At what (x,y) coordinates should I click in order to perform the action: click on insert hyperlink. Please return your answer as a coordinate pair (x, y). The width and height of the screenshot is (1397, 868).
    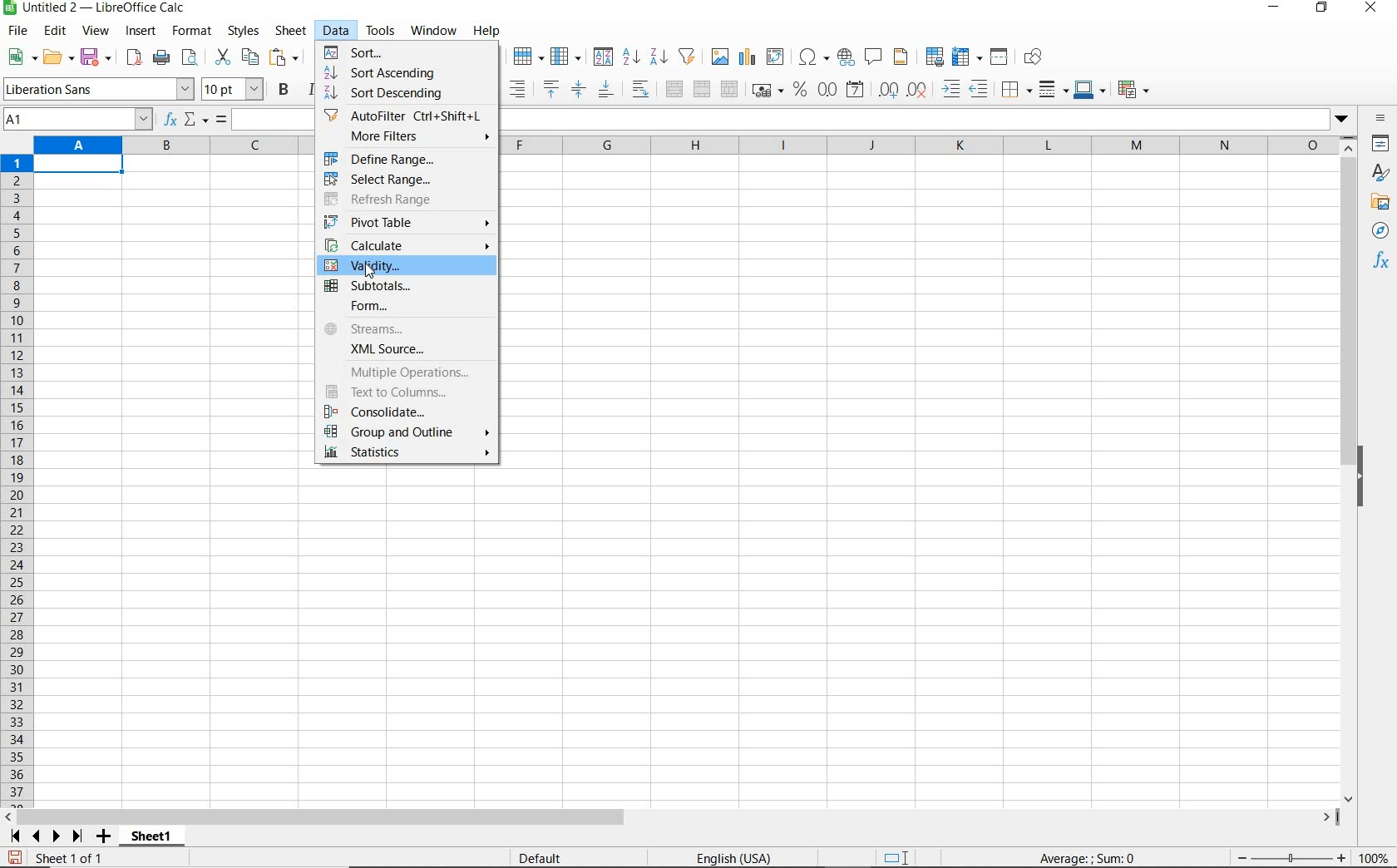
    Looking at the image, I should click on (846, 56).